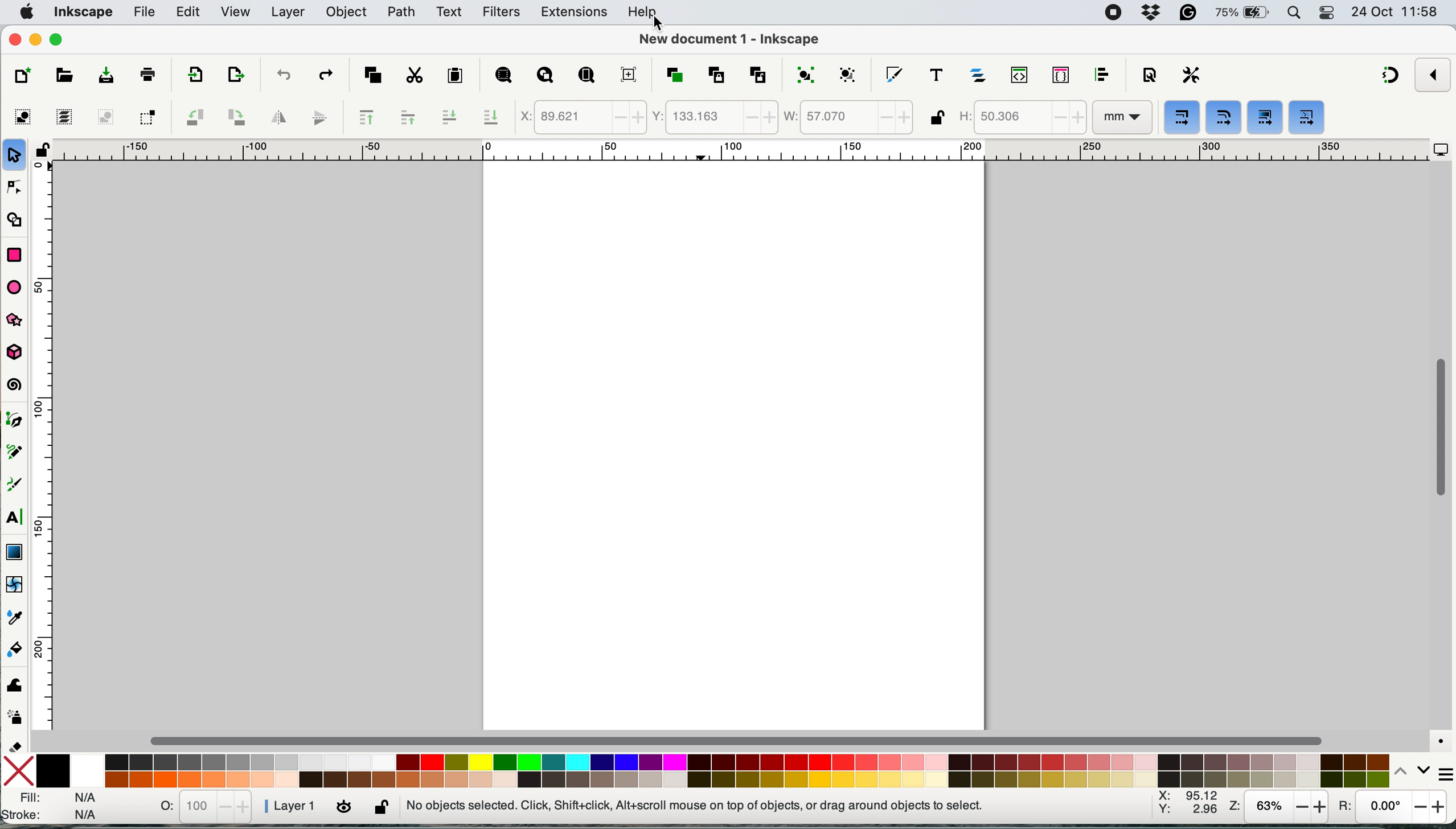 The width and height of the screenshot is (1456, 829). Describe the element at coordinates (1431, 76) in the screenshot. I see `snapping option` at that location.